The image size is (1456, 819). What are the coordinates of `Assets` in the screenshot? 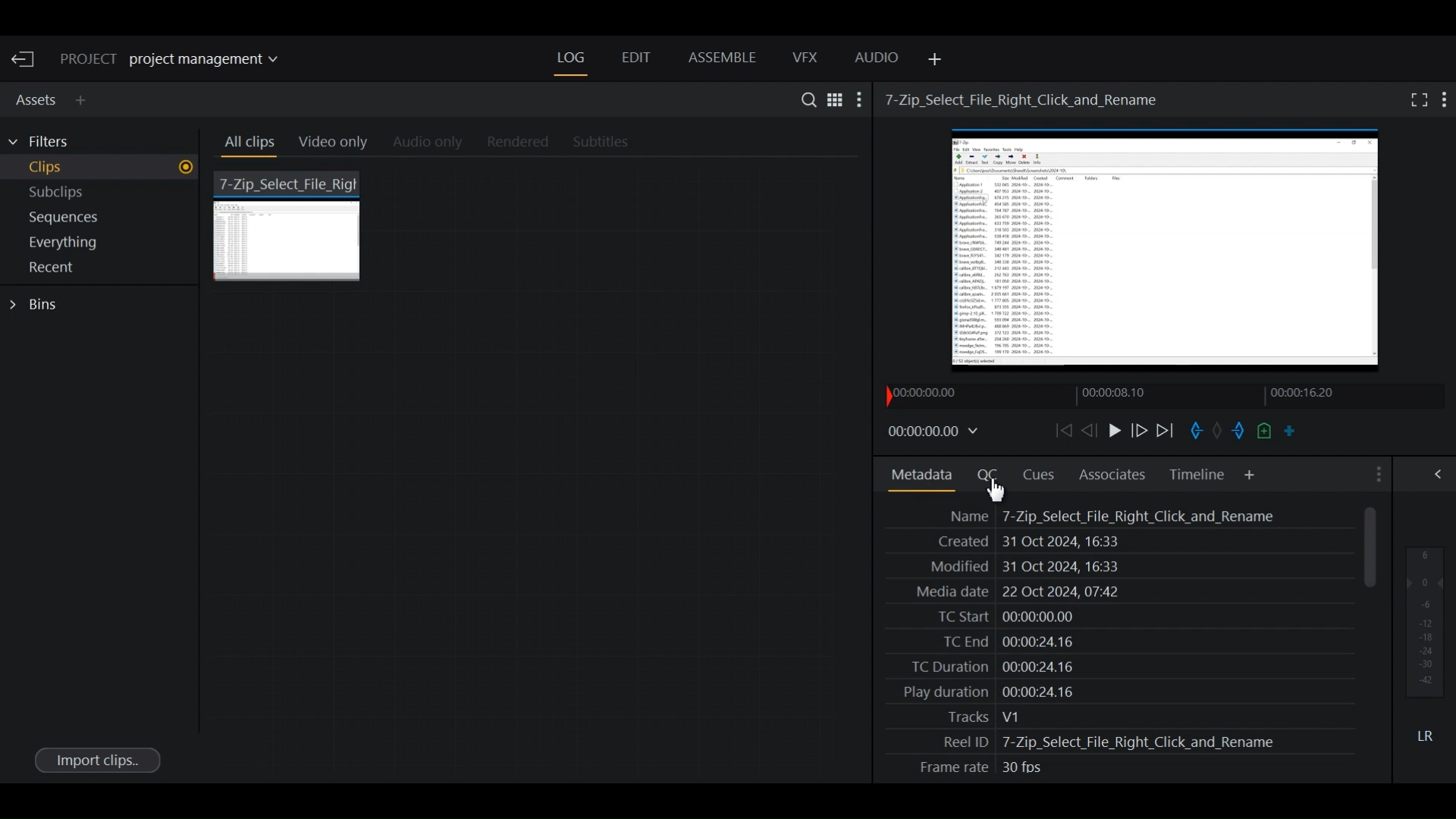 It's located at (33, 98).